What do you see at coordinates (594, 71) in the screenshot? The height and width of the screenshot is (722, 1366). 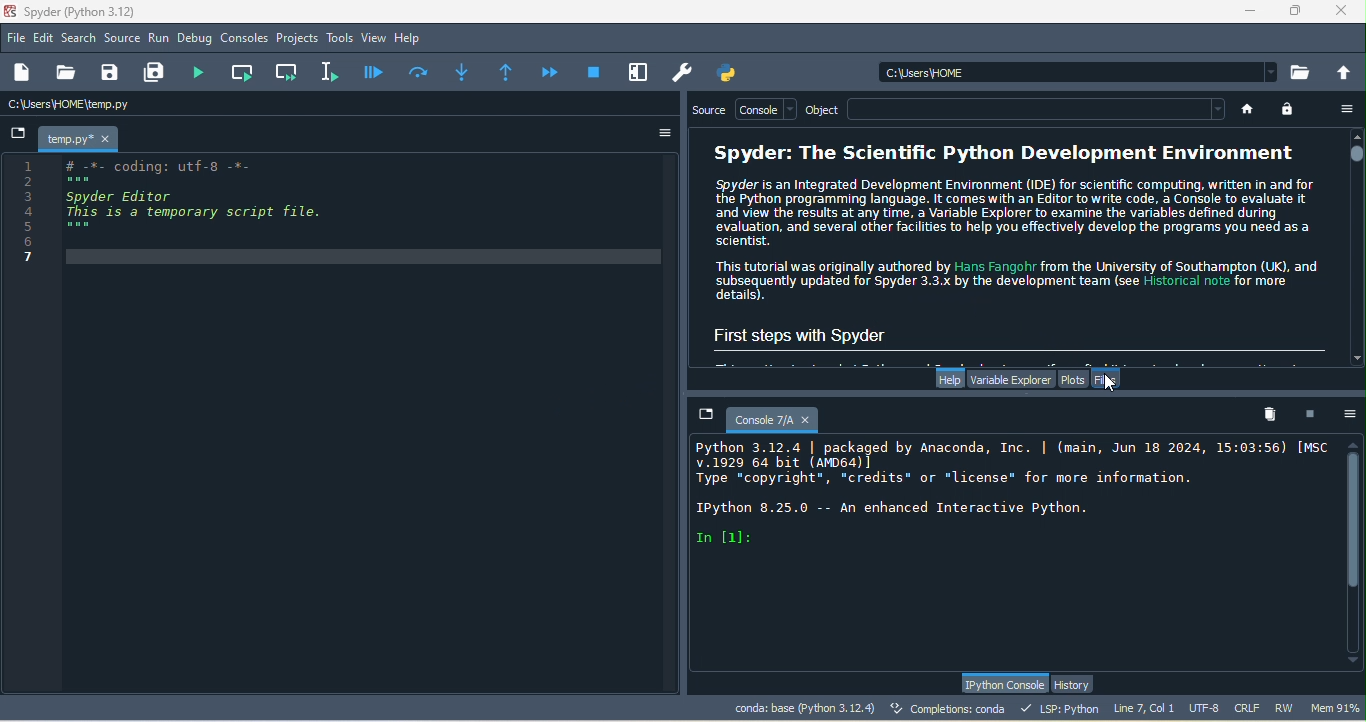 I see `stop debugging` at bounding box center [594, 71].